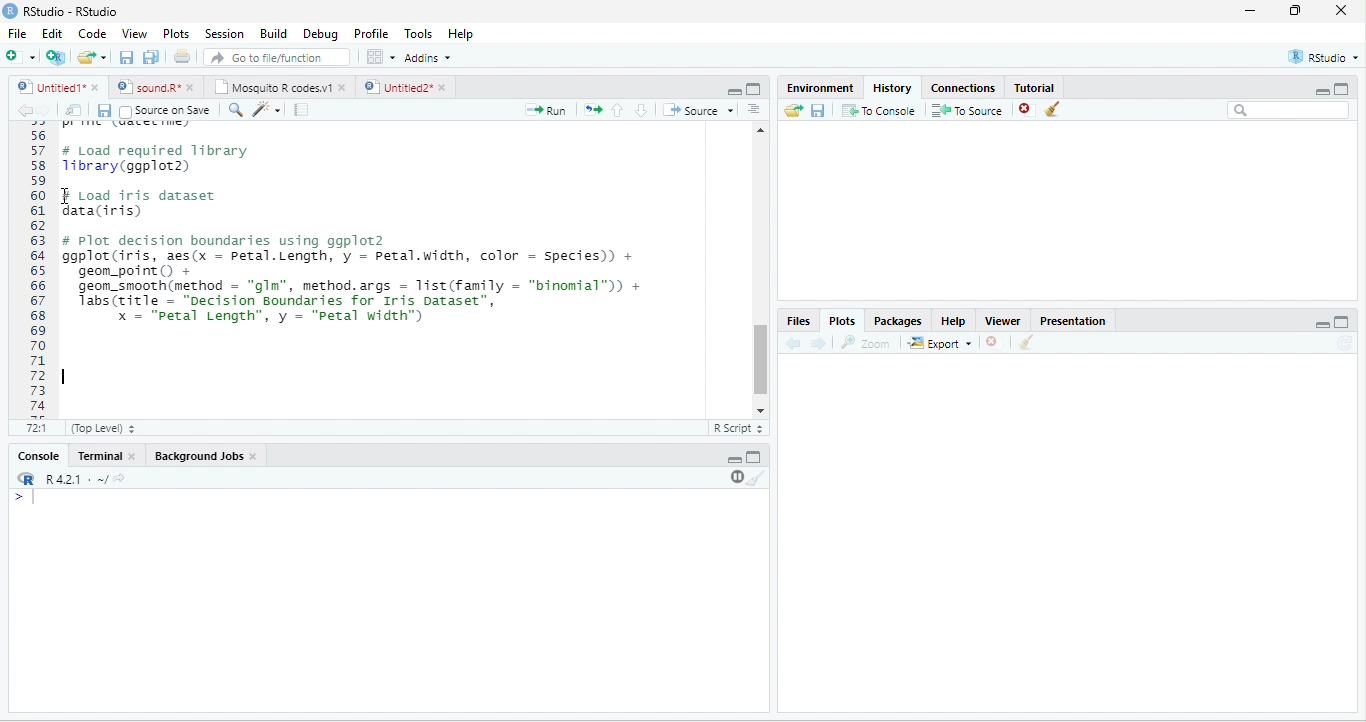  What do you see at coordinates (373, 34) in the screenshot?
I see `Profile` at bounding box center [373, 34].